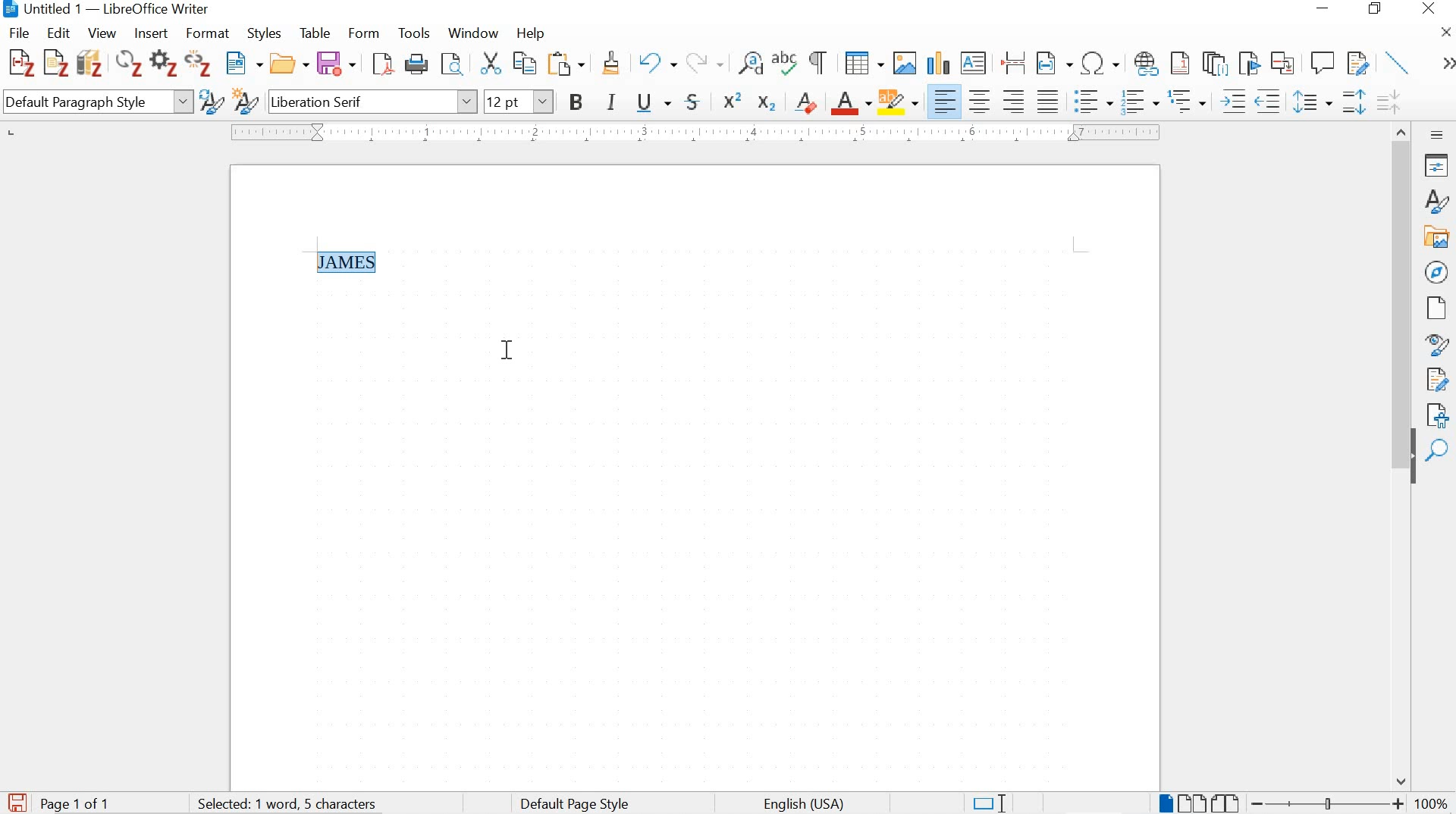 The width and height of the screenshot is (1456, 814). Describe the element at coordinates (937, 64) in the screenshot. I see `insert chart` at that location.